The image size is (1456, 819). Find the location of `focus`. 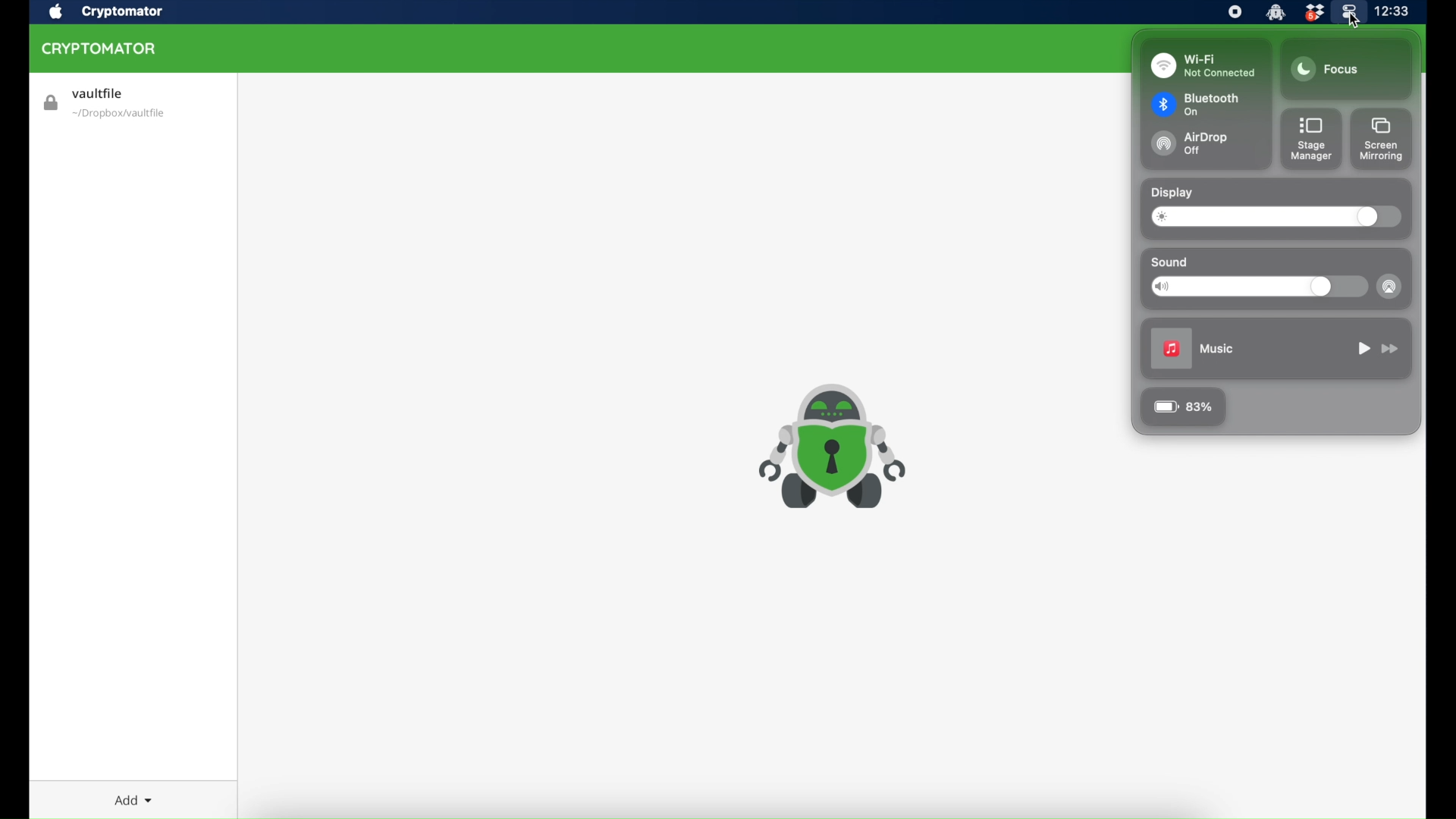

focus is located at coordinates (1327, 70).